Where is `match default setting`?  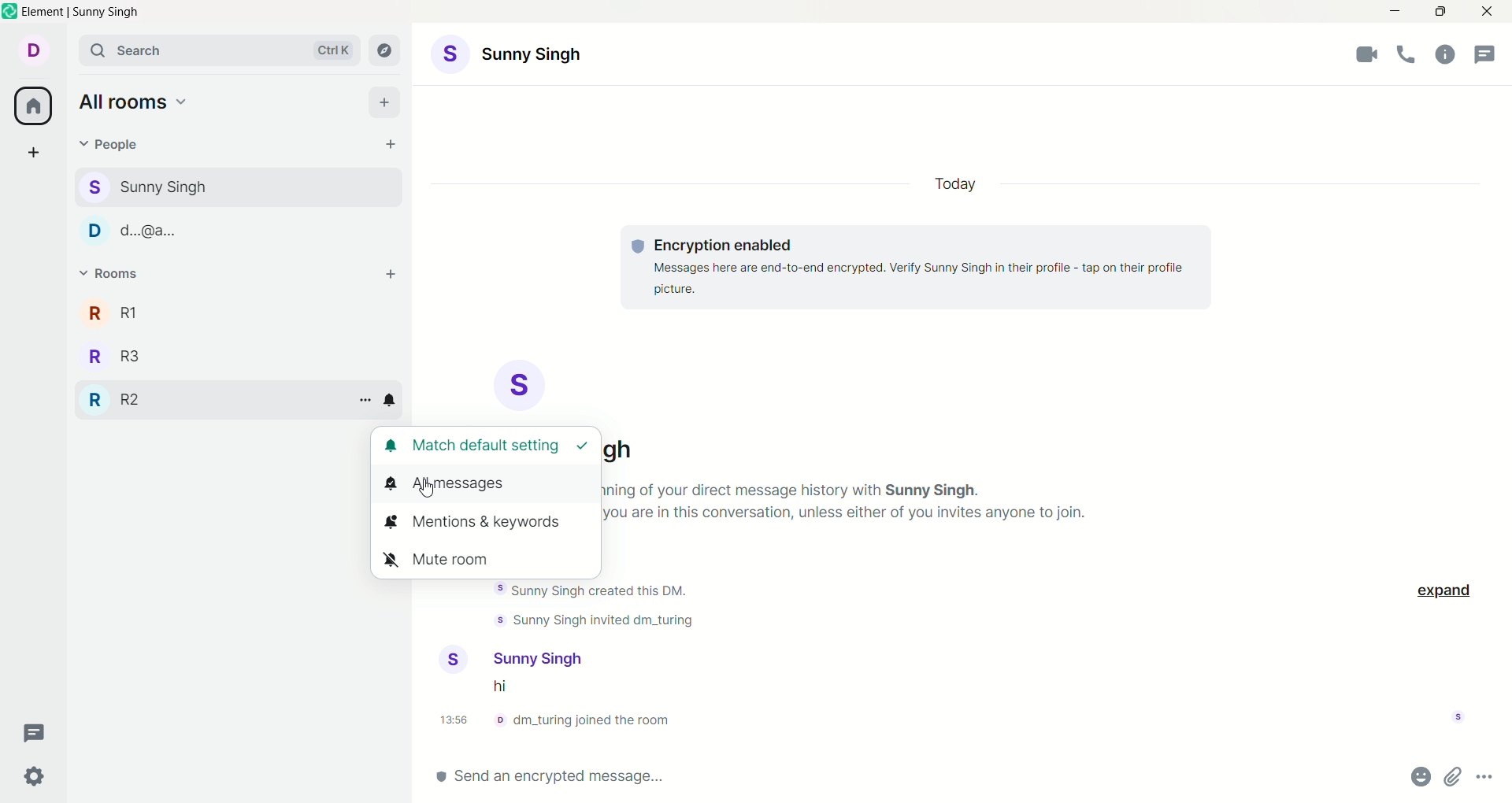
match default setting is located at coordinates (489, 446).